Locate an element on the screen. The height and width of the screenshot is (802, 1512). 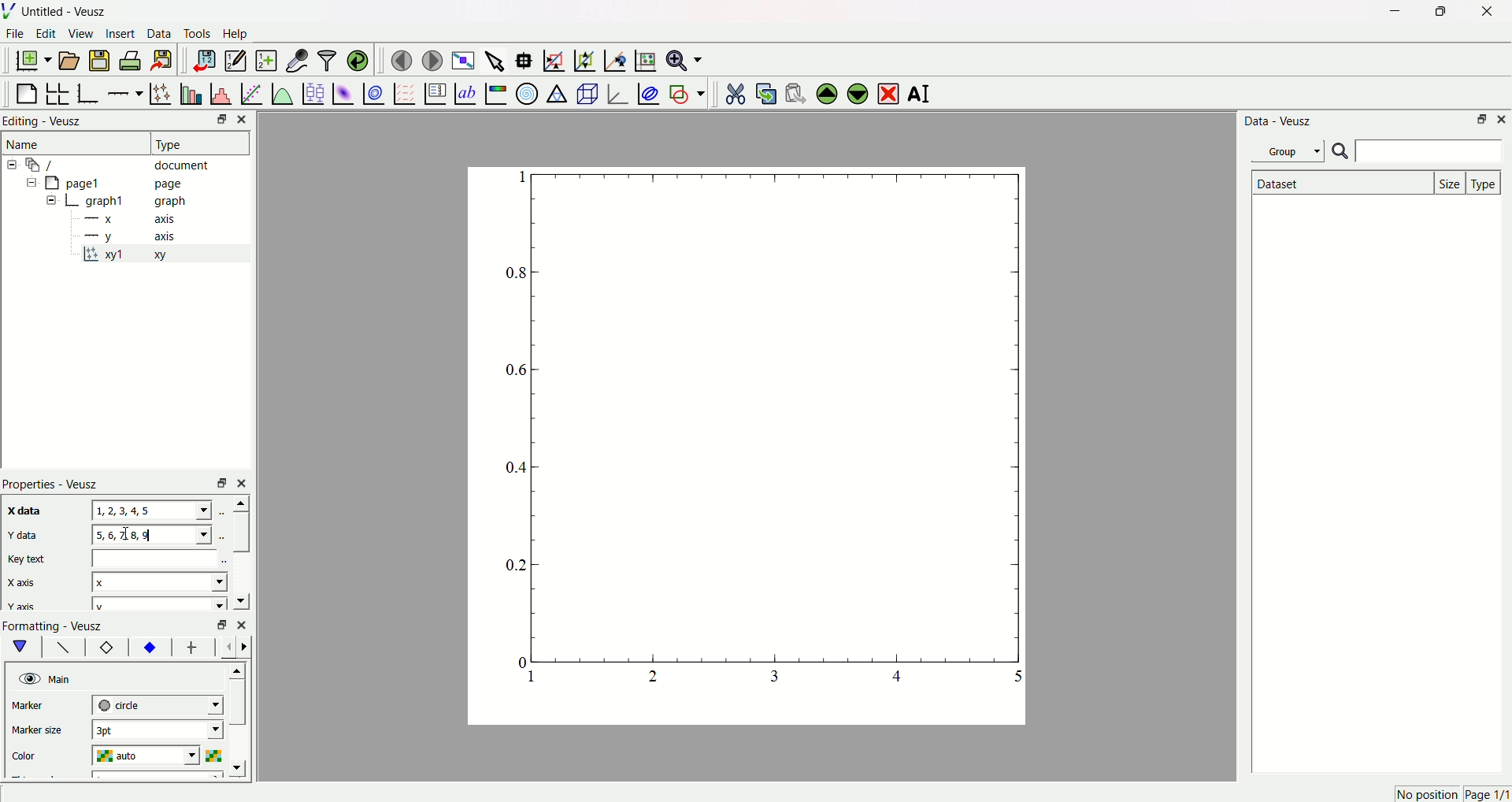
import datasets is located at coordinates (204, 60).